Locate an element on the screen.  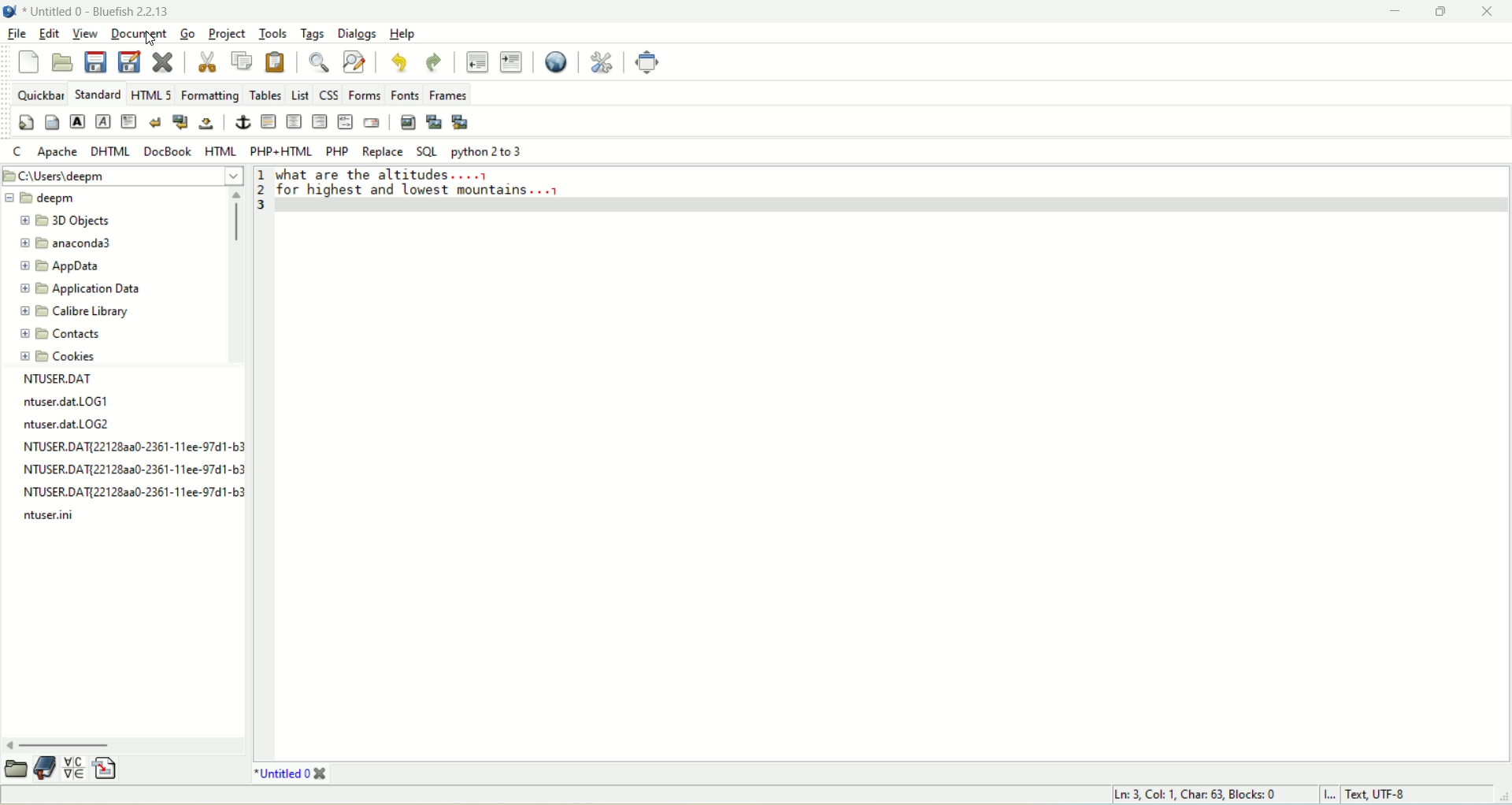
text, UTF-8 is located at coordinates (1387, 796).